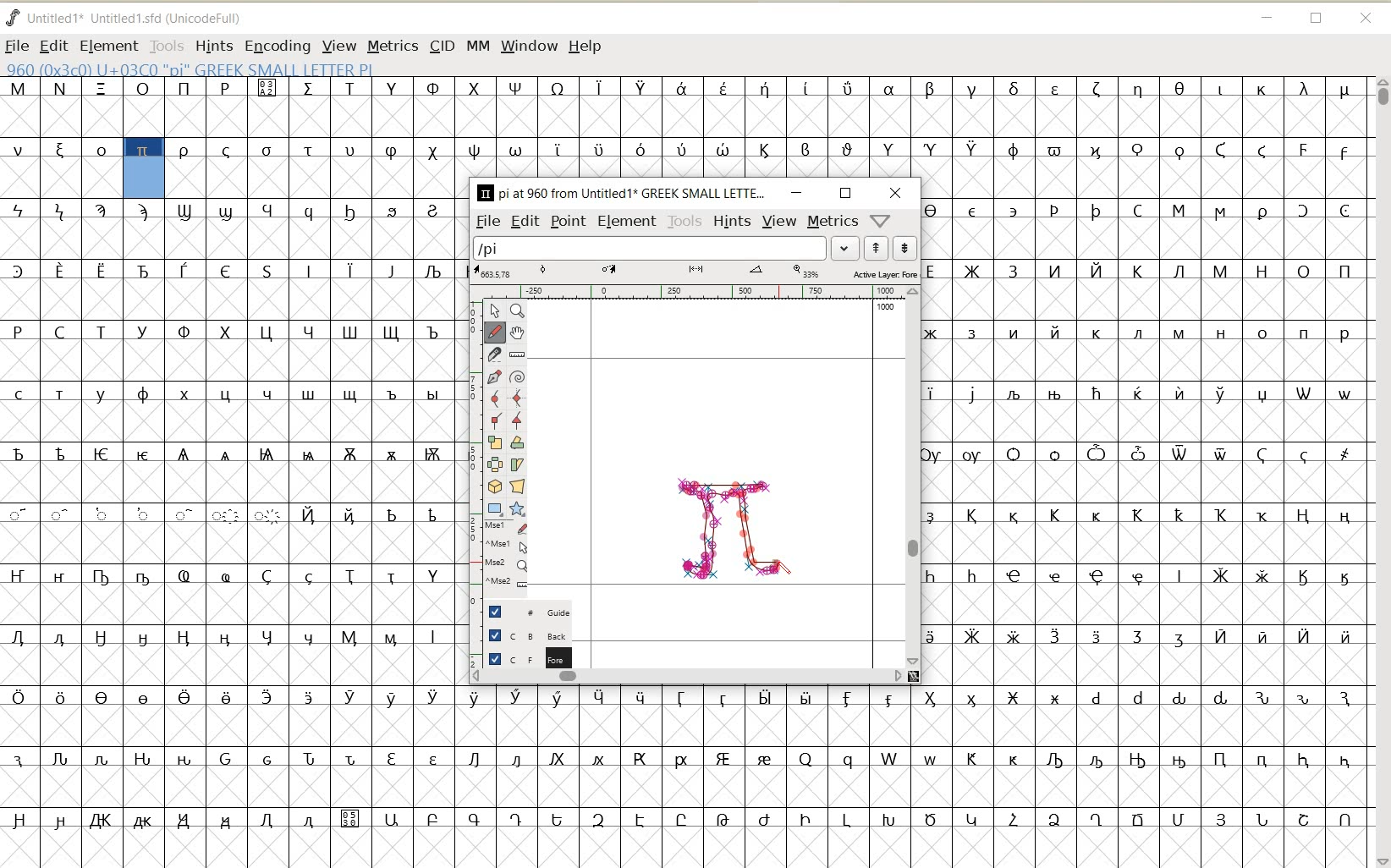  What do you see at coordinates (493, 442) in the screenshot?
I see `scale the selection` at bounding box center [493, 442].